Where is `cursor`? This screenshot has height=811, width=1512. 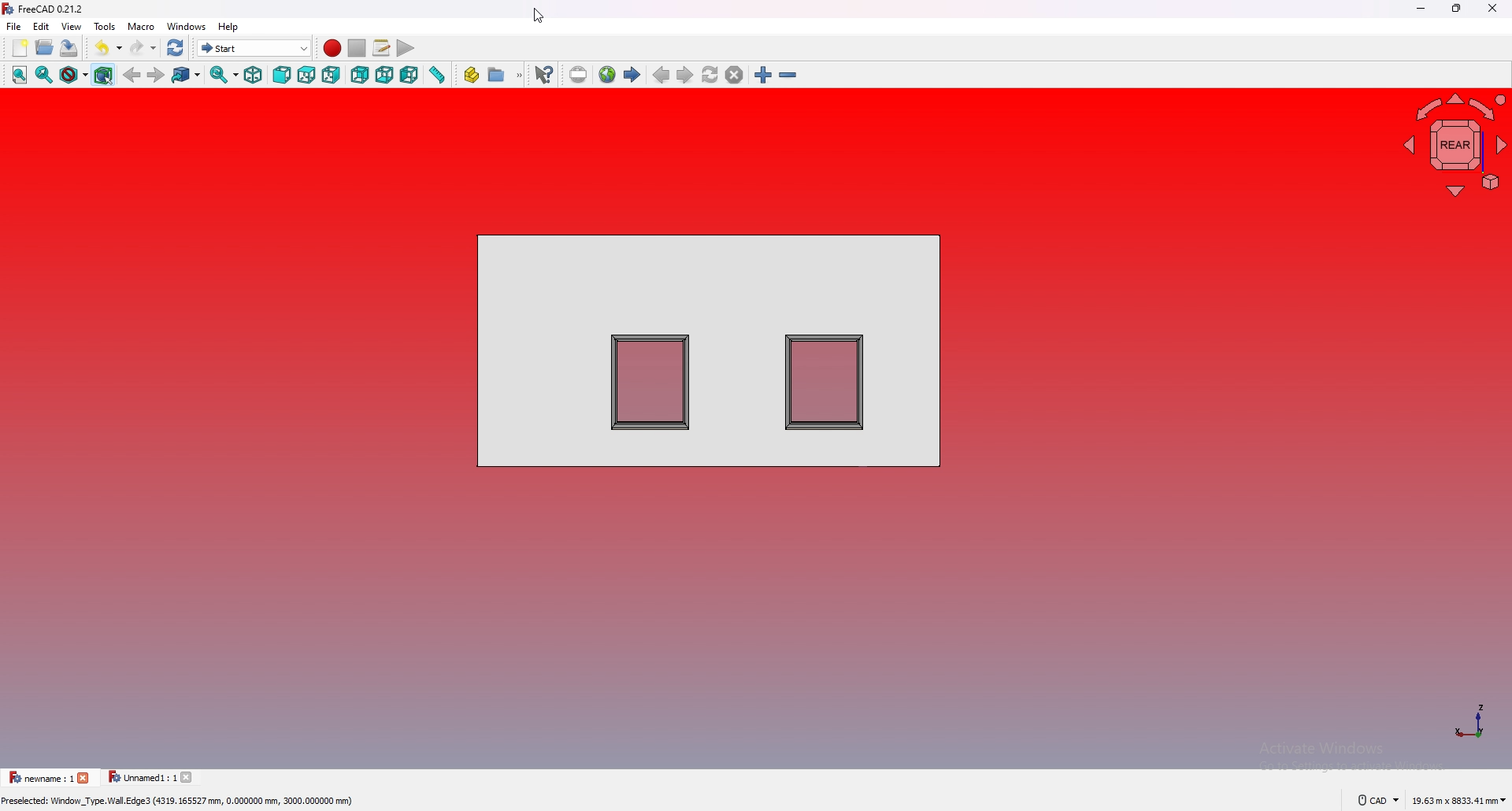 cursor is located at coordinates (538, 16).